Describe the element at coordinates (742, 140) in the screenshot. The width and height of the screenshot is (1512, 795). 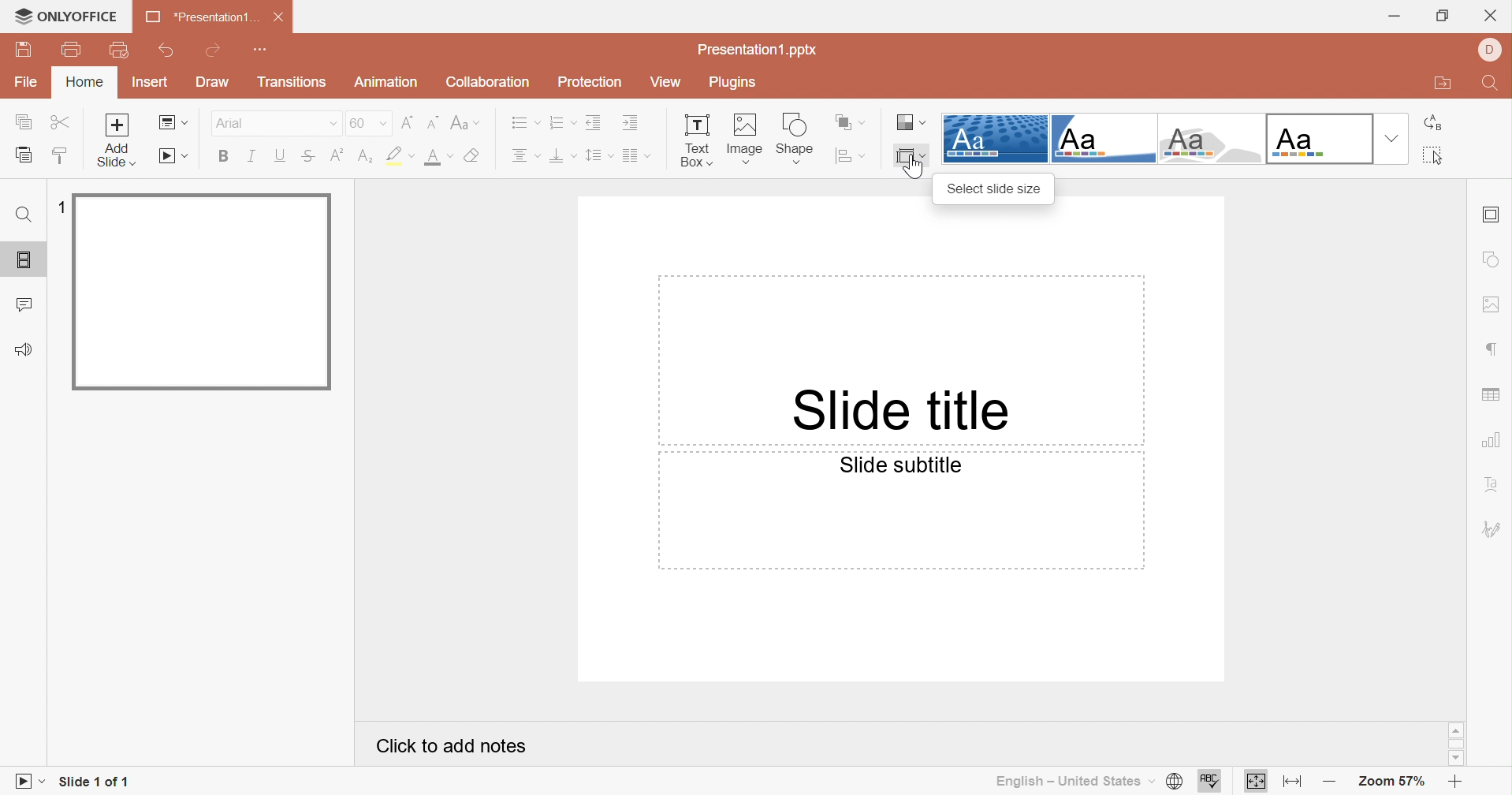
I see `Image` at that location.